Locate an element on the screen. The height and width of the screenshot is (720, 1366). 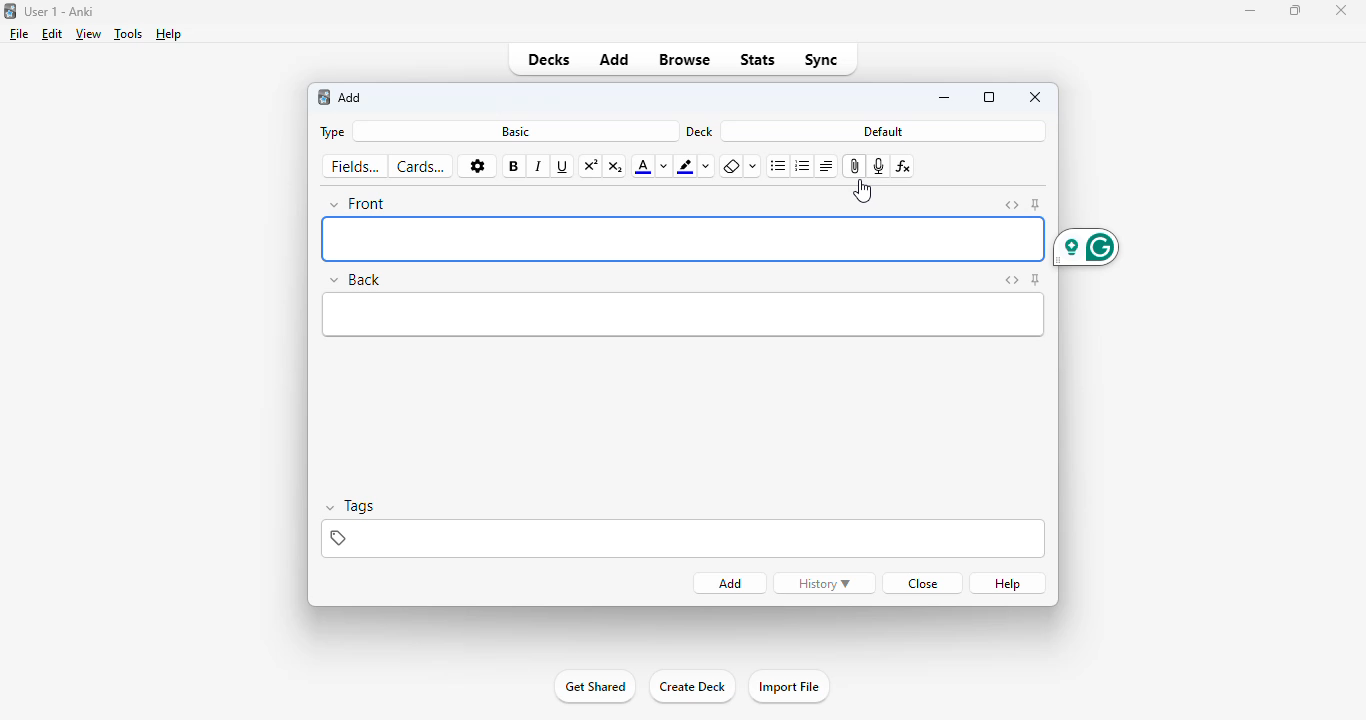
close is located at coordinates (924, 583).